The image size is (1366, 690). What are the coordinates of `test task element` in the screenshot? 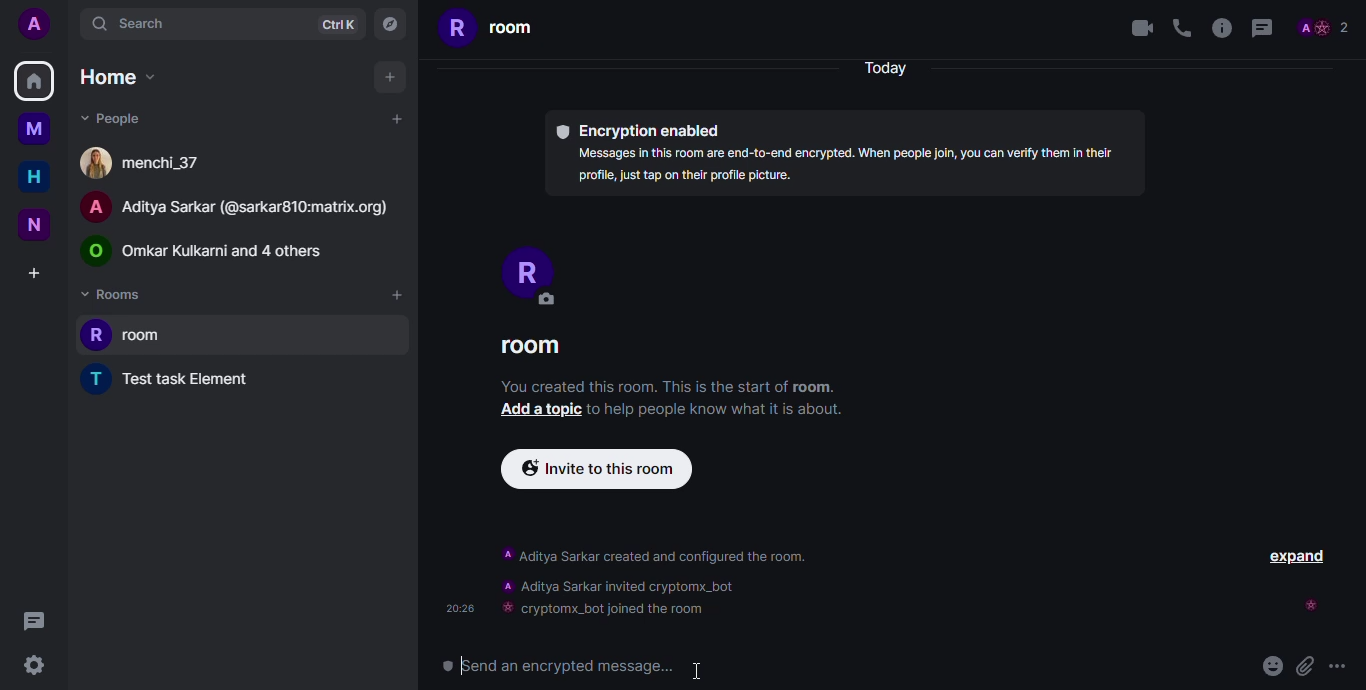 It's located at (173, 379).